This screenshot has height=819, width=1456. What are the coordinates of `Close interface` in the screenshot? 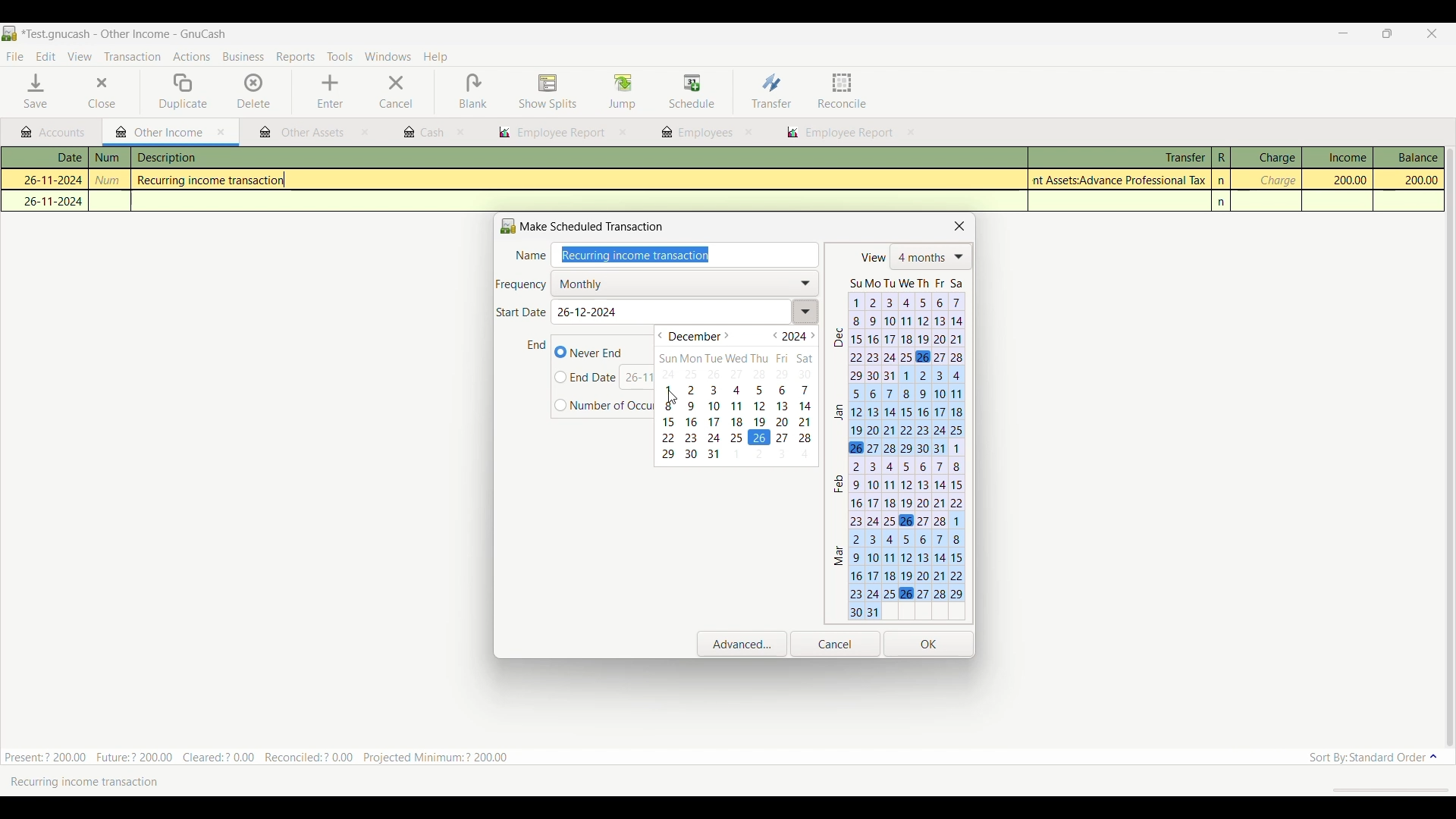 It's located at (1429, 35).